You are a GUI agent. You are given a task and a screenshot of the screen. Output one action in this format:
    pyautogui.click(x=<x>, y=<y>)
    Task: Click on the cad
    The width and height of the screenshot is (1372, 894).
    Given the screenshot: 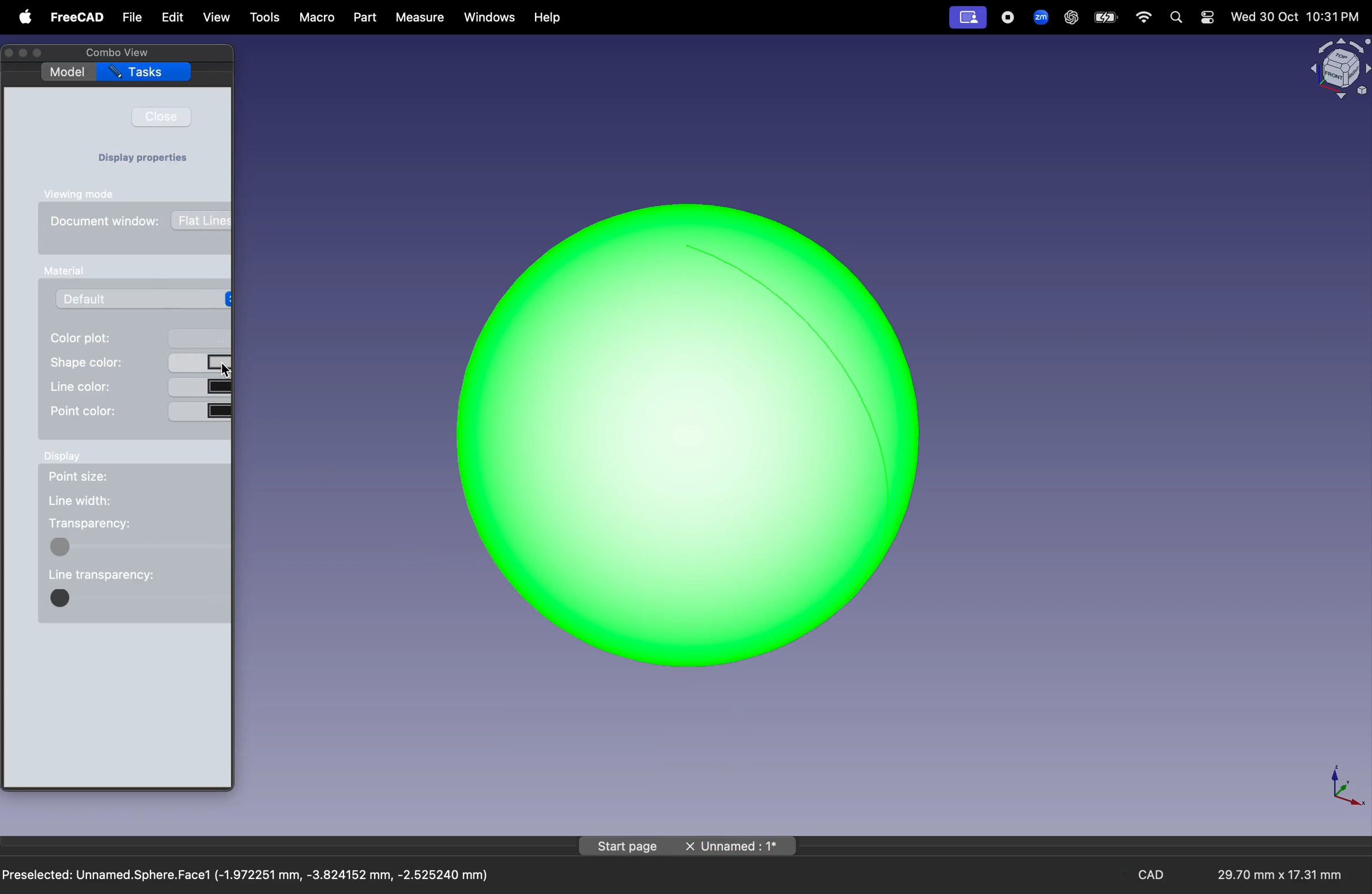 What is the action you would take?
    pyautogui.click(x=1155, y=875)
    